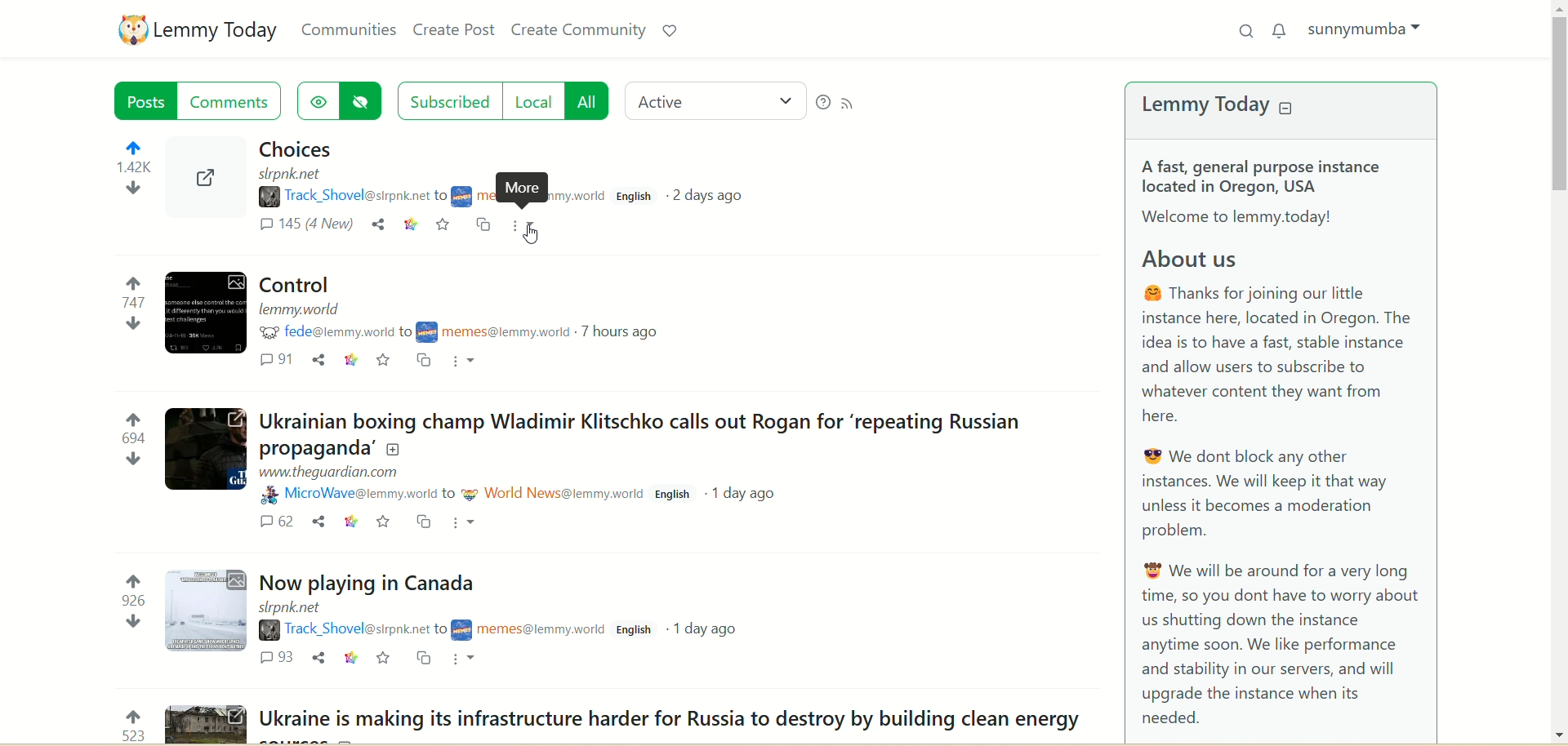 This screenshot has width=1568, height=746. What do you see at coordinates (301, 310) in the screenshot?
I see `URL` at bounding box center [301, 310].